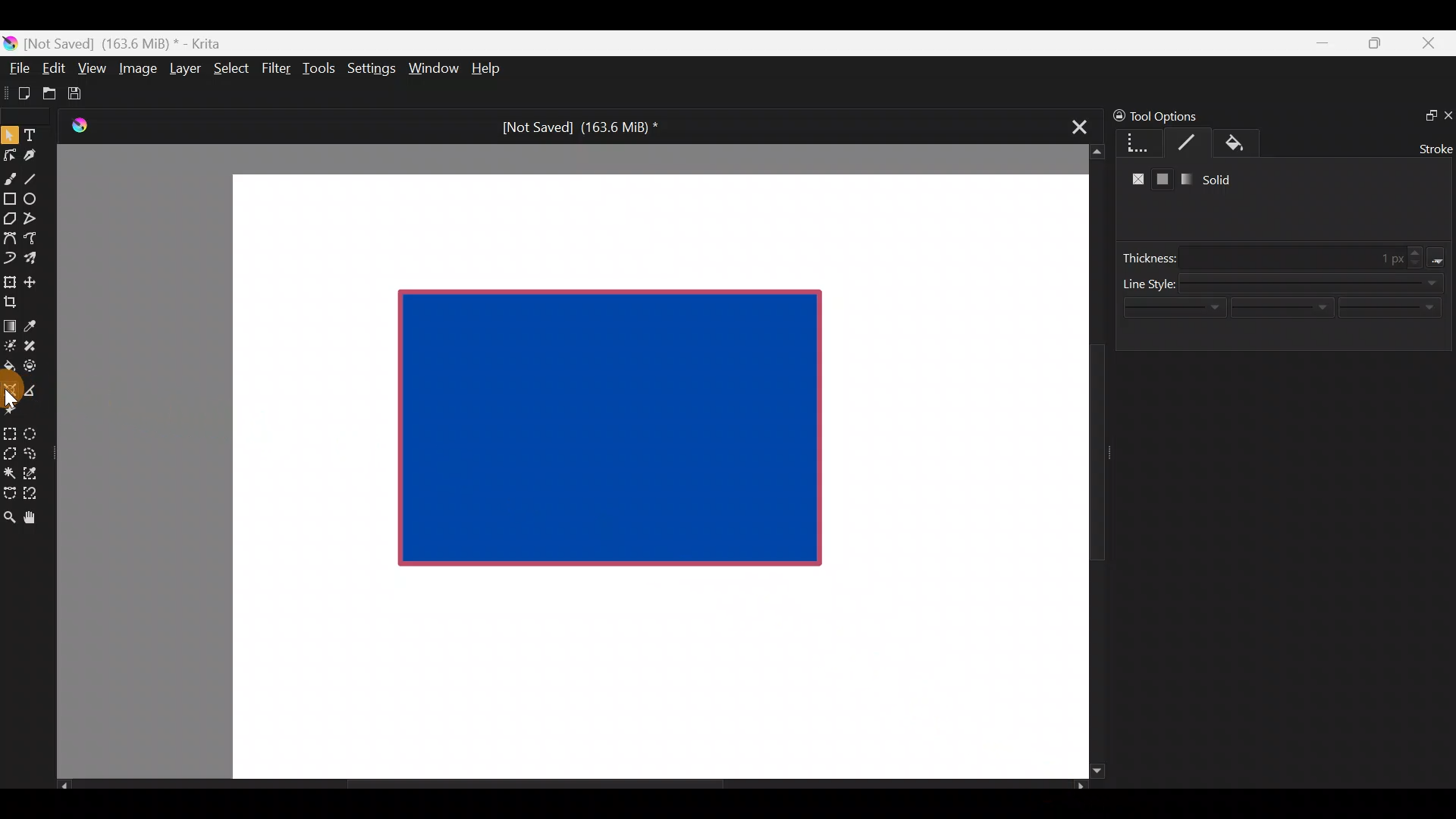 Image resolution: width=1456 pixels, height=819 pixels. I want to click on Solid, so click(1222, 179).